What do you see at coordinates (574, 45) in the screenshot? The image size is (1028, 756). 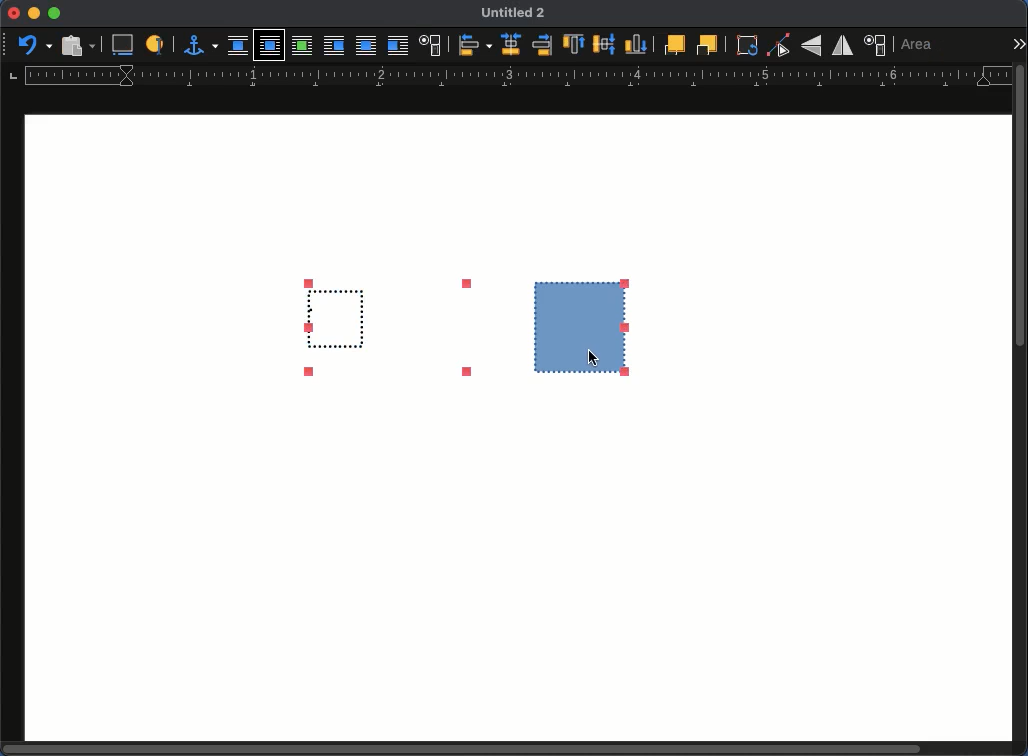 I see `top` at bounding box center [574, 45].